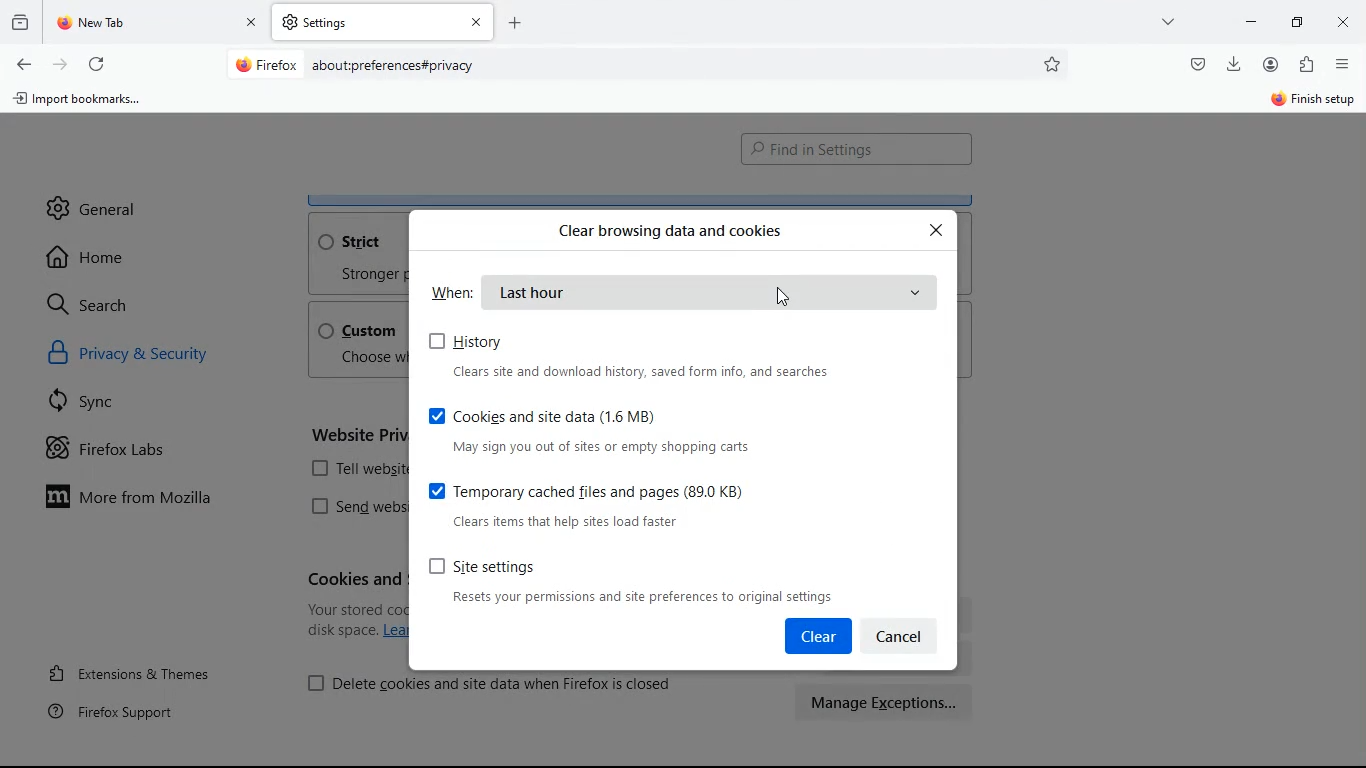  I want to click on preferences, so click(1054, 64).